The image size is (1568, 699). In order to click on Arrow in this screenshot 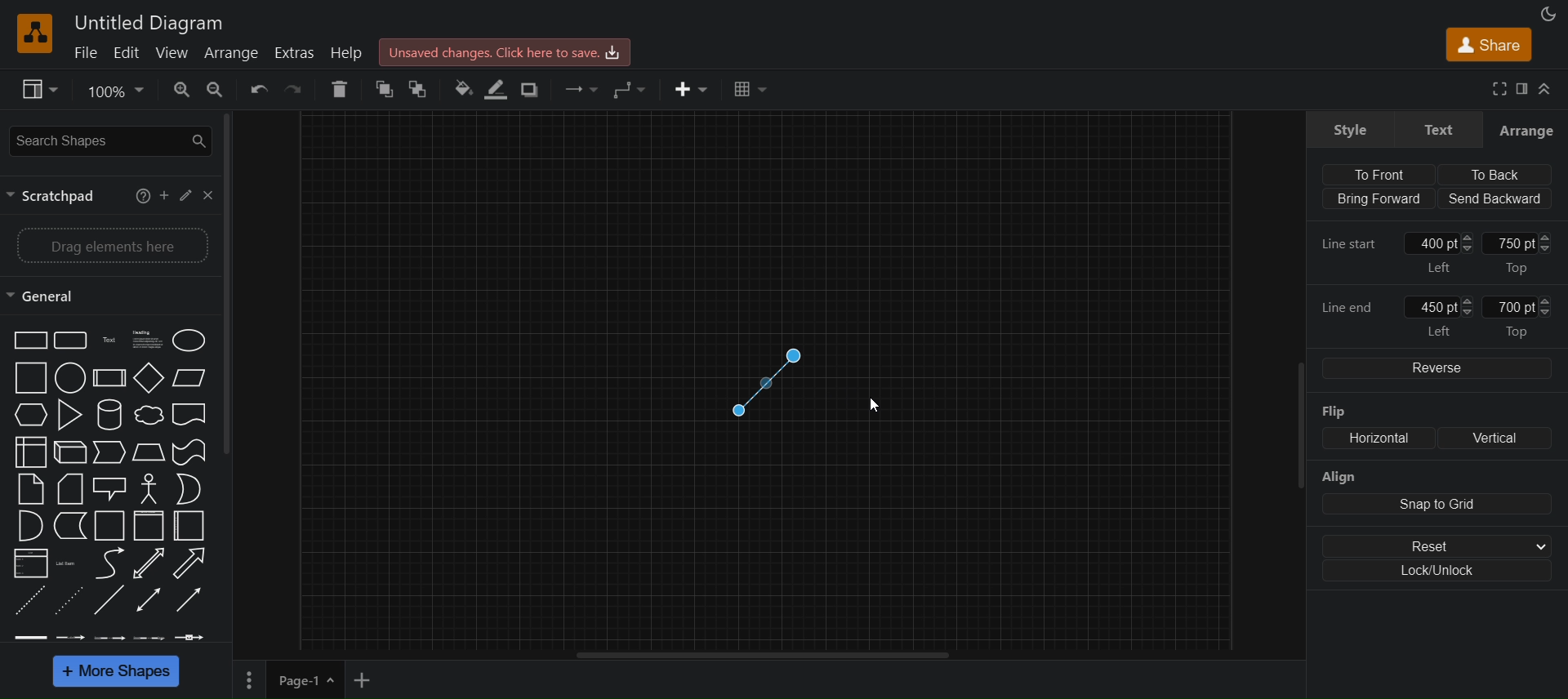, I will do `click(194, 563)`.